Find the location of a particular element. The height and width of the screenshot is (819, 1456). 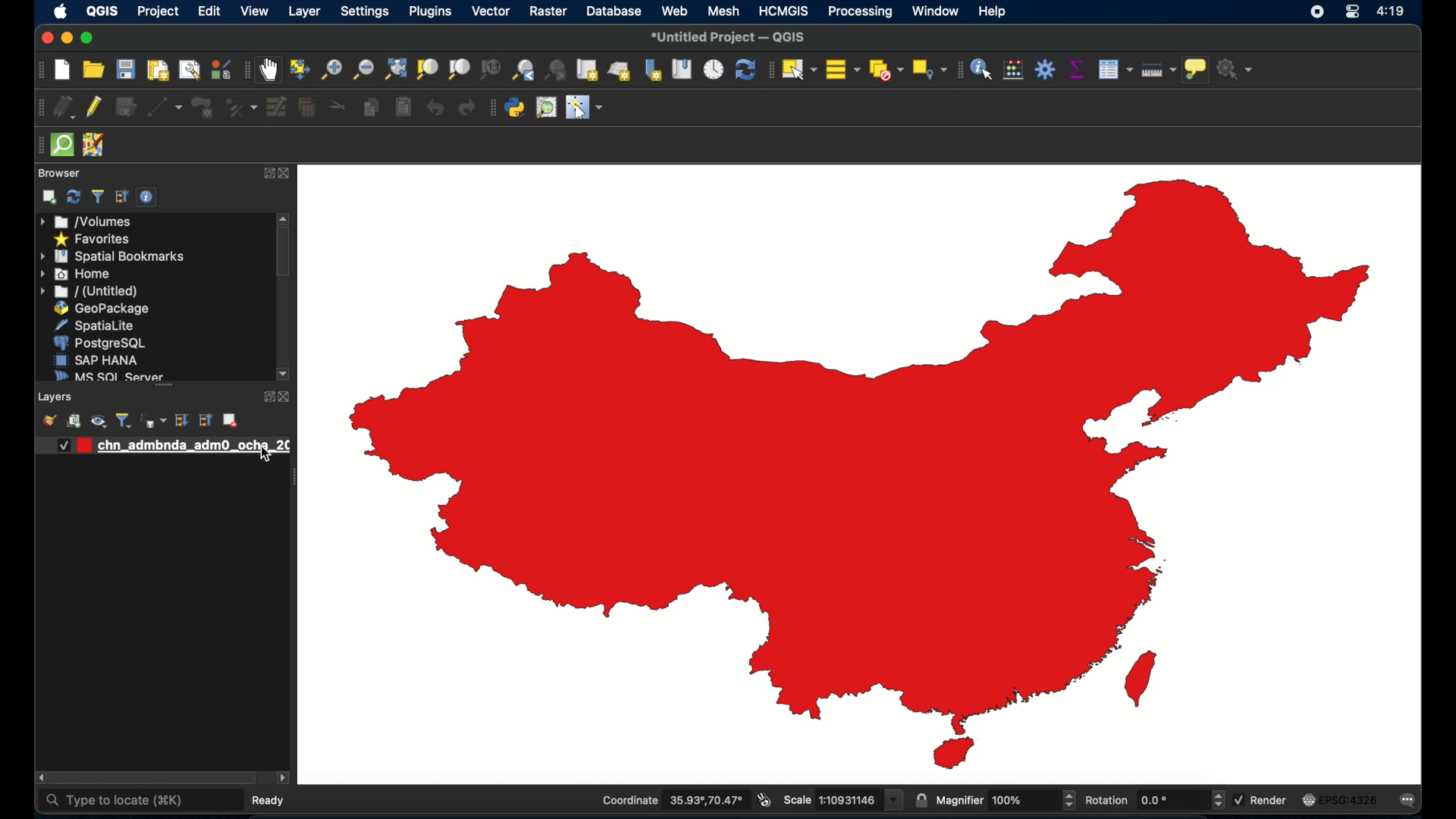

manage map theme is located at coordinates (98, 421).